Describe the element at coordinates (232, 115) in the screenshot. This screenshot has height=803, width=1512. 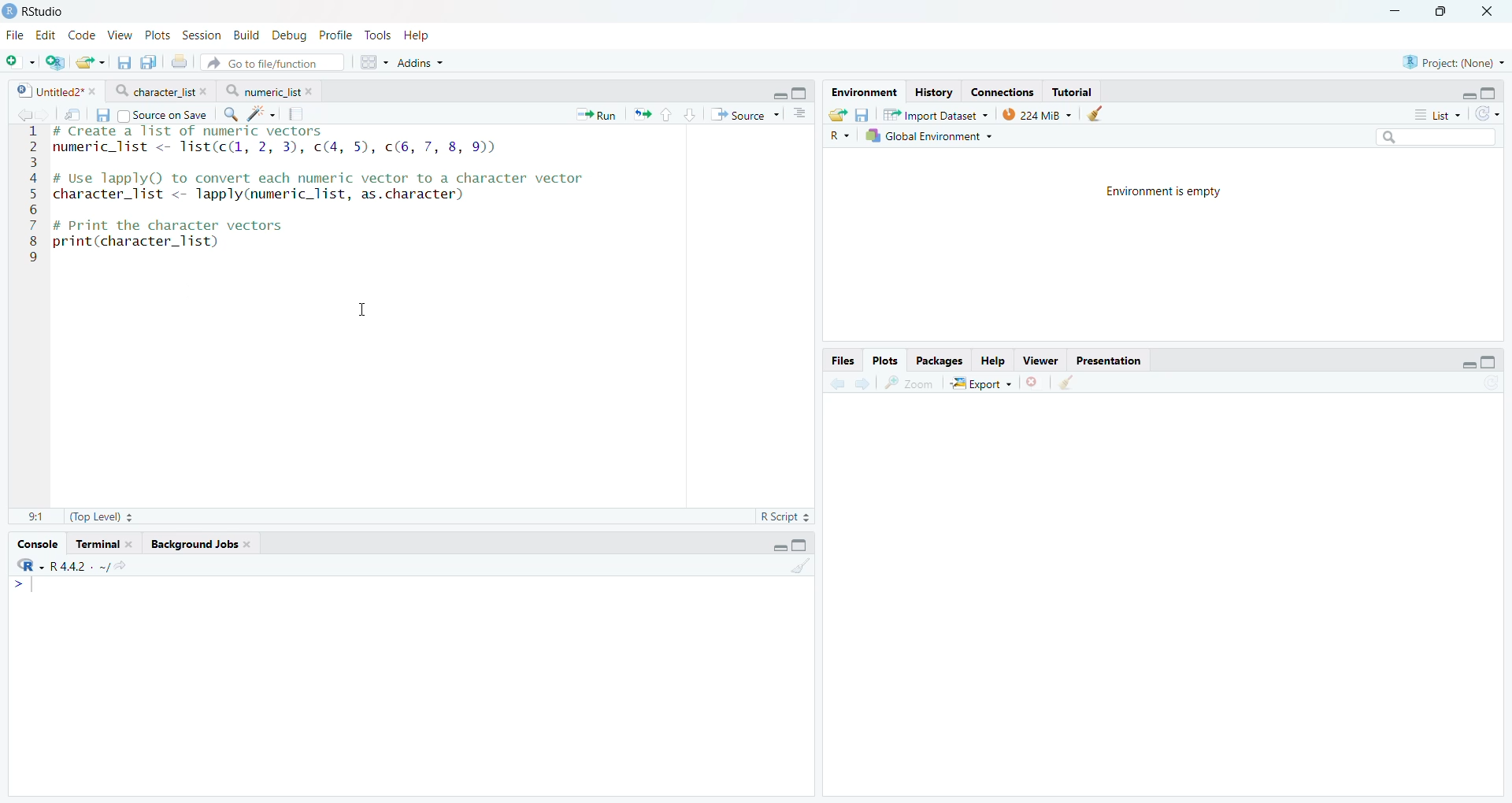
I see `Find/Replace` at that location.